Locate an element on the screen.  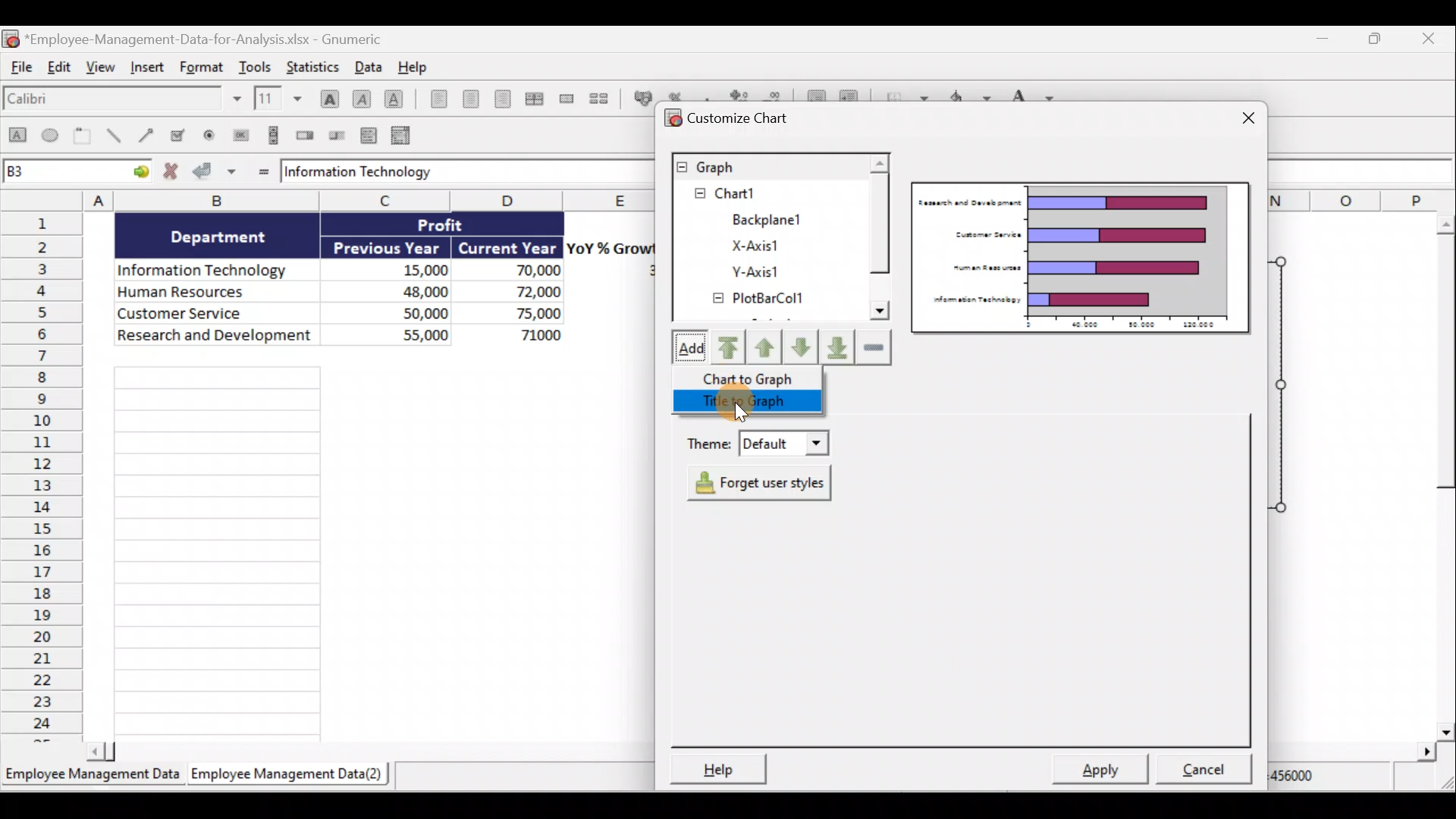
Underline is located at coordinates (394, 96).